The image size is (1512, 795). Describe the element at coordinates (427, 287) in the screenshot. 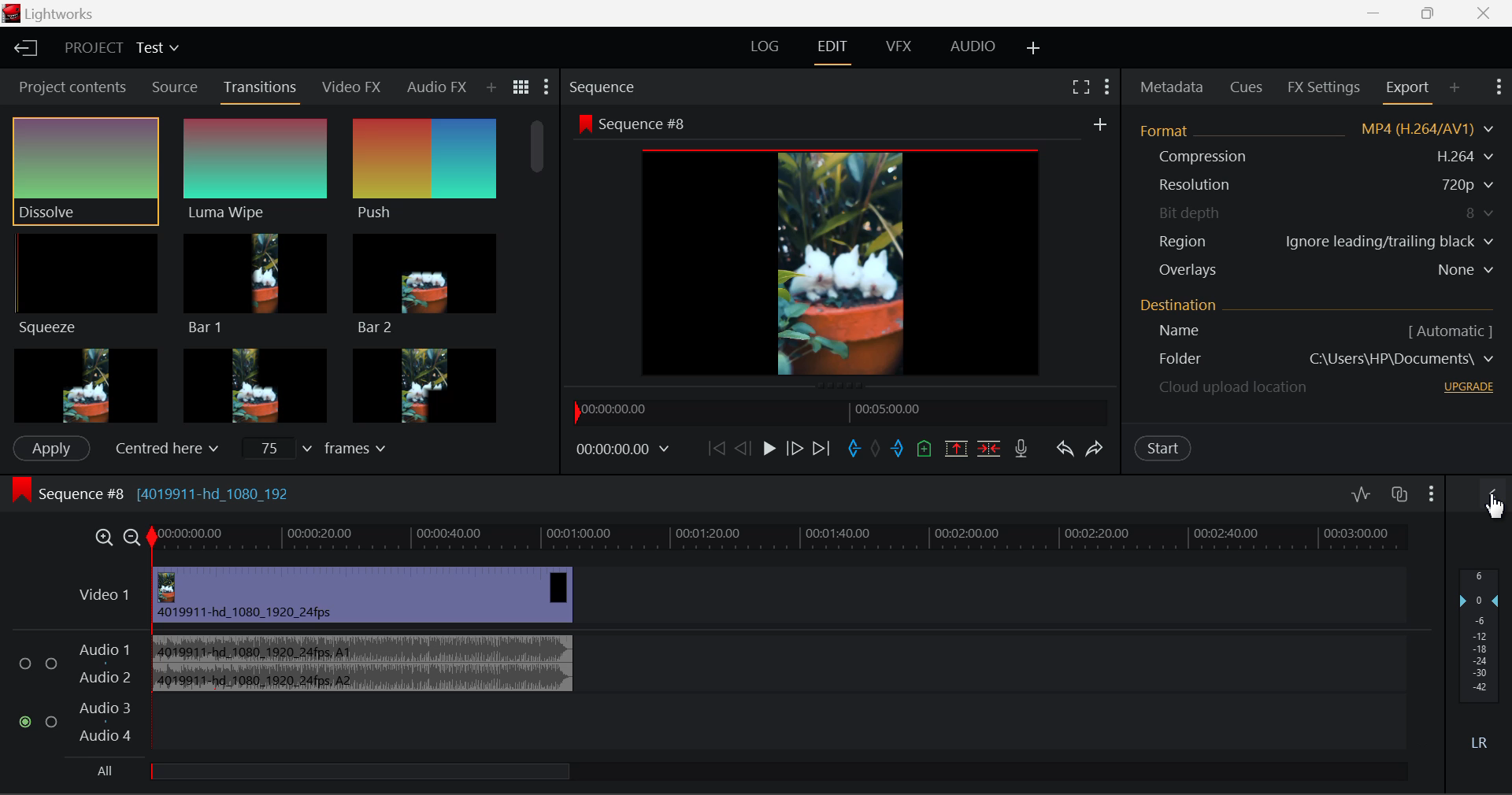

I see `Bar 2` at that location.